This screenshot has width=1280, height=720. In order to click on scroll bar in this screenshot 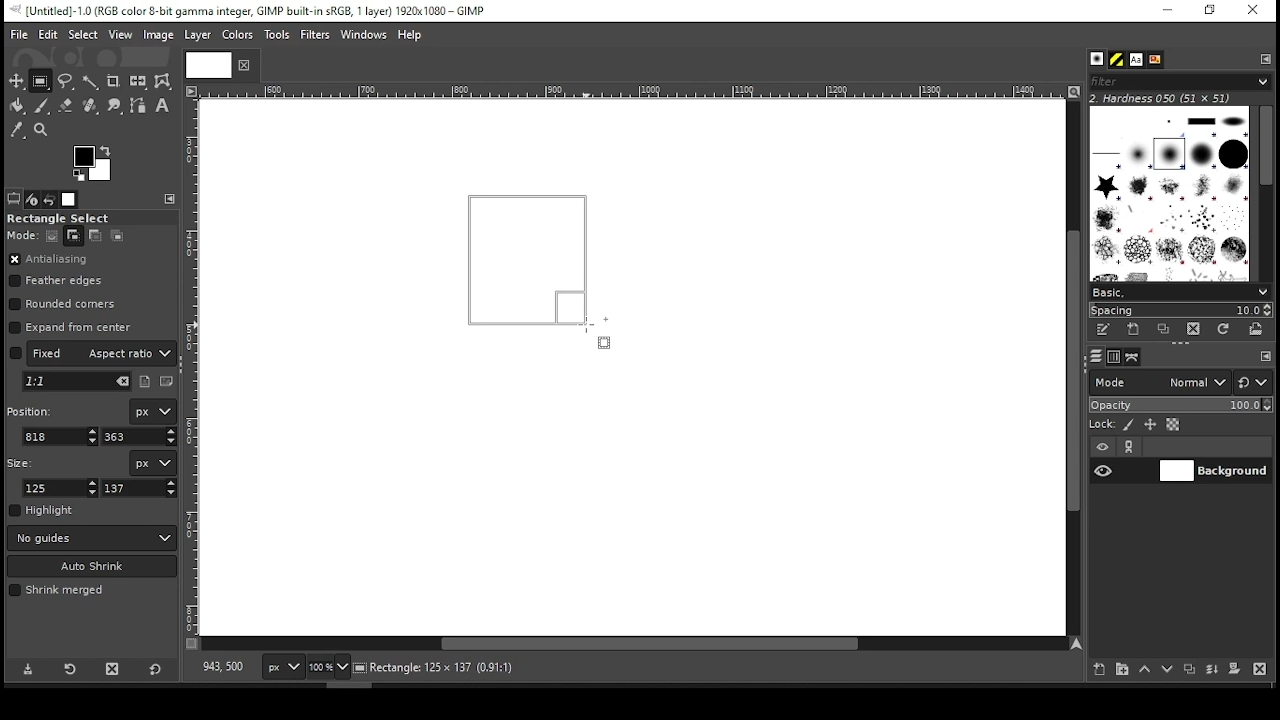, I will do `click(634, 645)`.